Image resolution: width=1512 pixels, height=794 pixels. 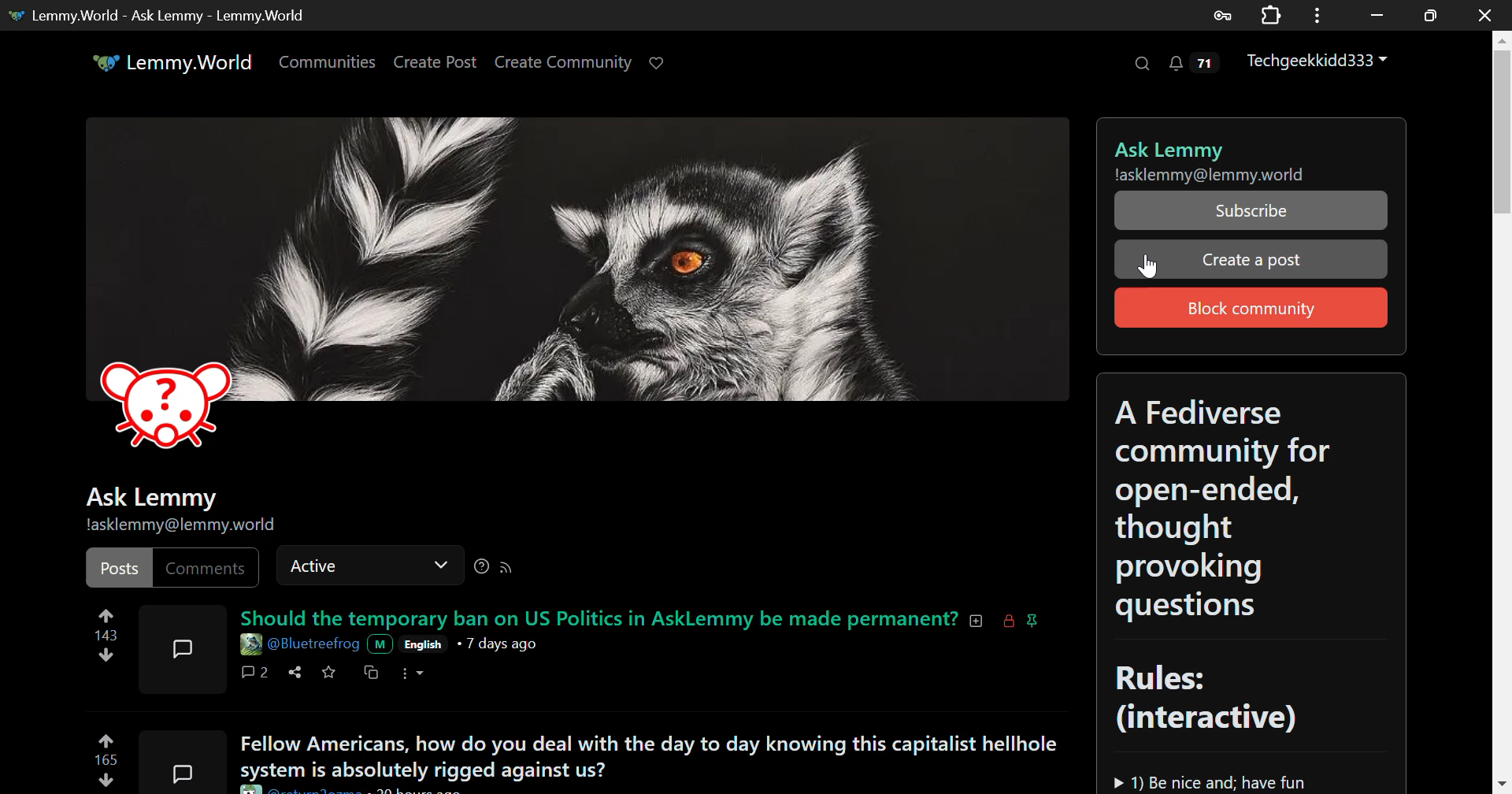 I want to click on Saved Password Data, so click(x=1221, y=16).